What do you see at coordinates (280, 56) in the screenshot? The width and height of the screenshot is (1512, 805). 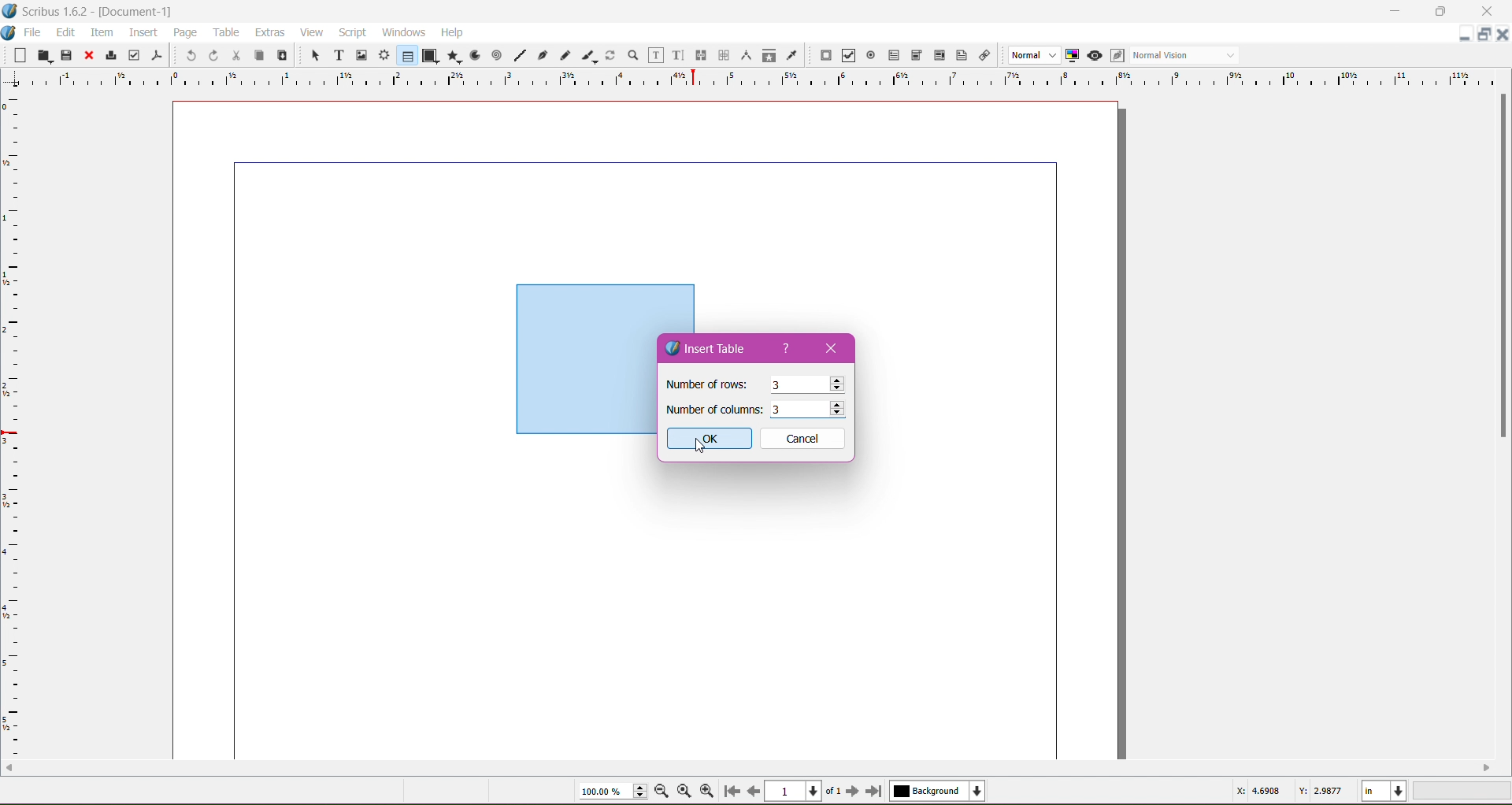 I see `Paste` at bounding box center [280, 56].